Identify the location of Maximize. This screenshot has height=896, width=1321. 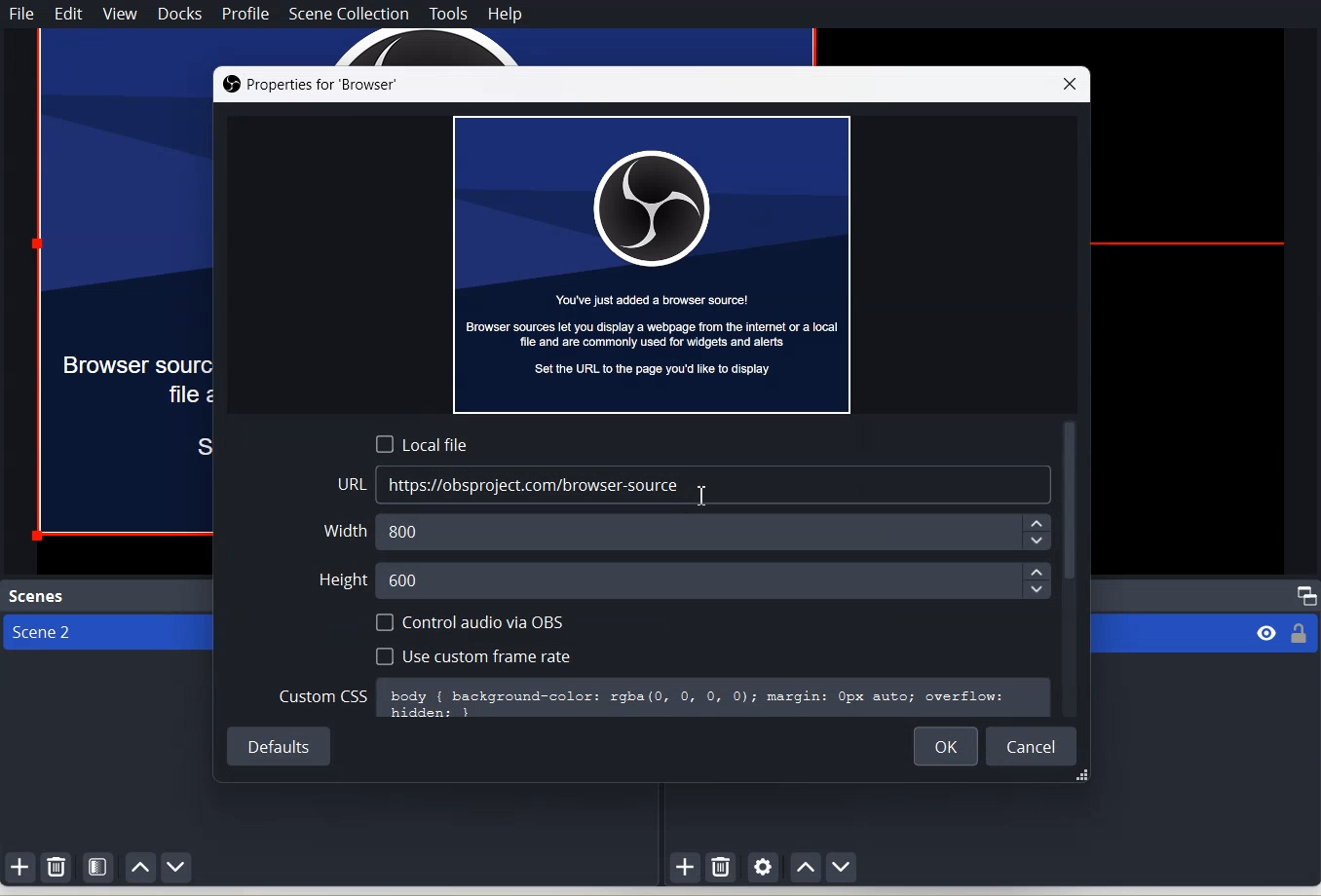
(1307, 596).